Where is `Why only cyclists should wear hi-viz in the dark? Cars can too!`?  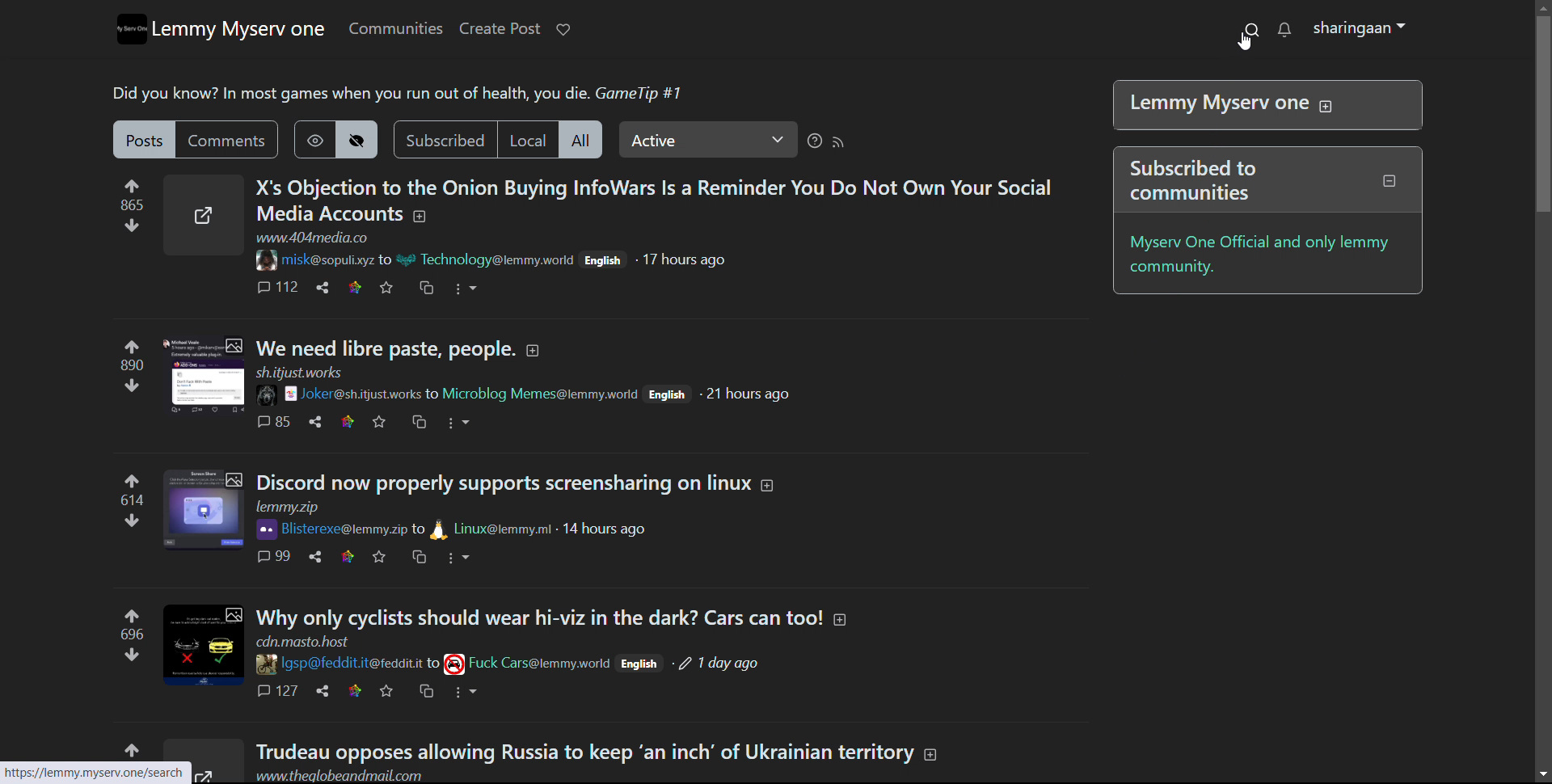
Why only cyclists should wear hi-viz in the dark? Cars can too! is located at coordinates (550, 626).